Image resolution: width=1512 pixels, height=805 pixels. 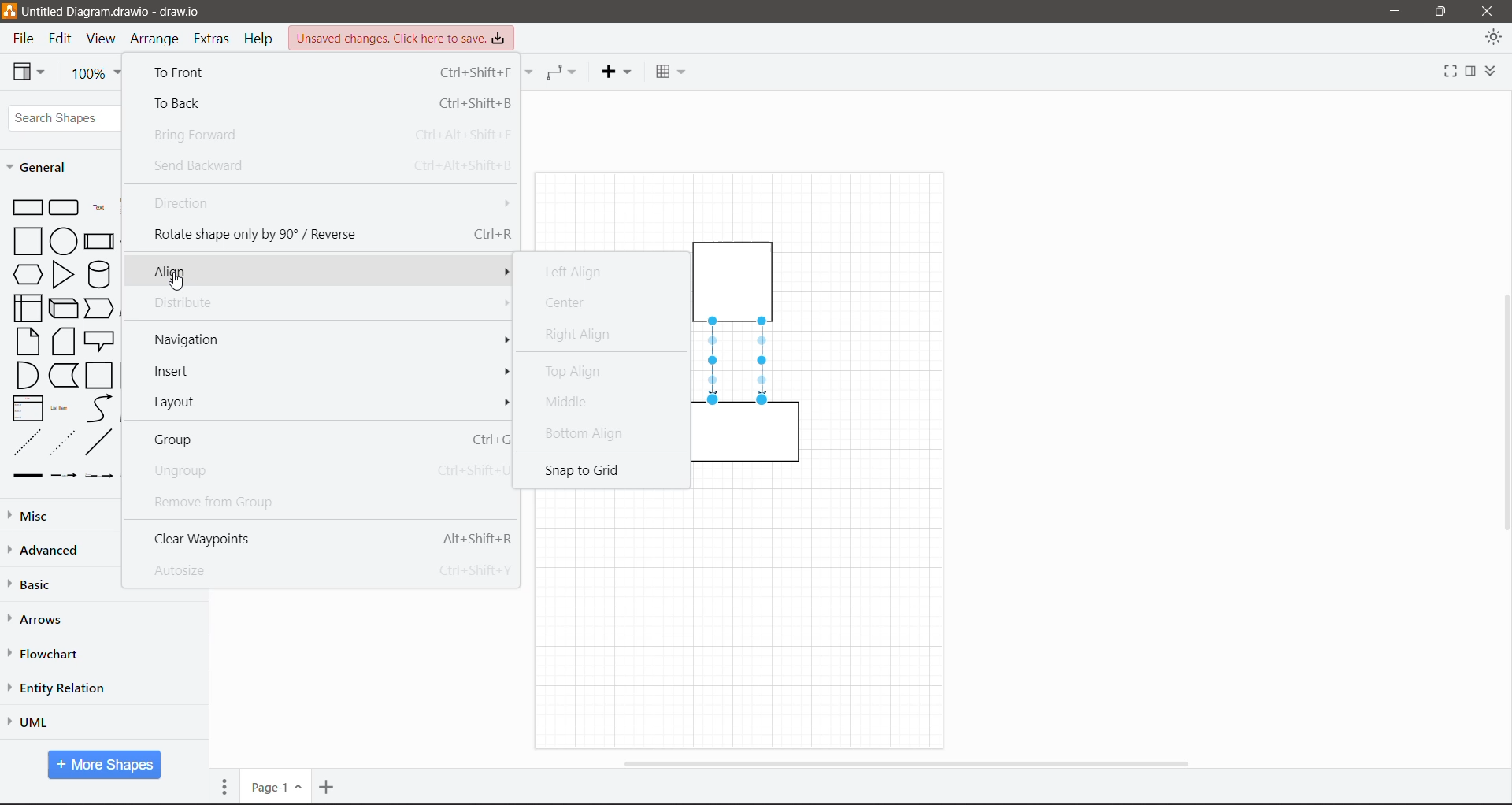 I want to click on Note, so click(x=28, y=340).